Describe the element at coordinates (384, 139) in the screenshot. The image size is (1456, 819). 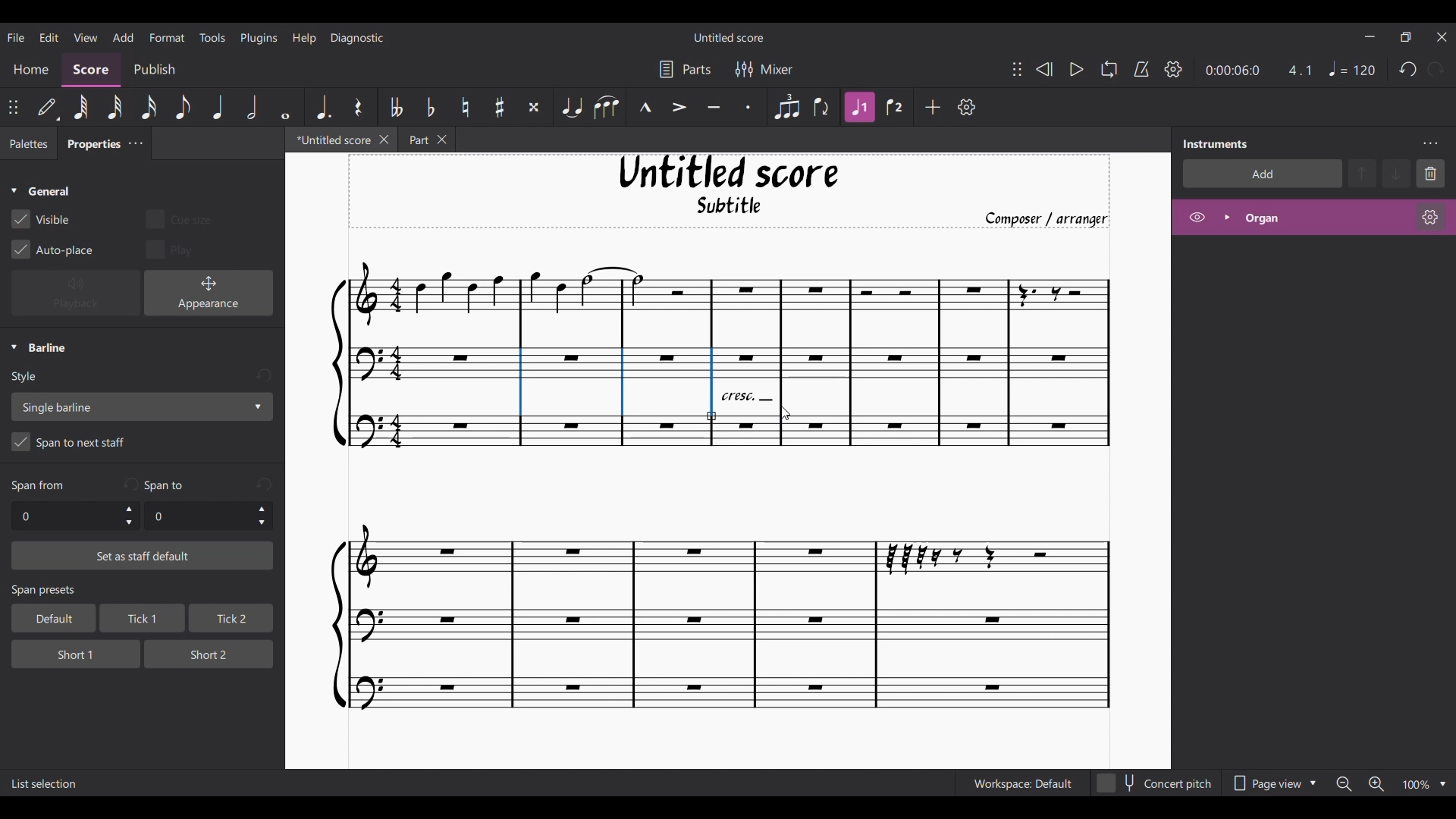
I see `Close current tab` at that location.